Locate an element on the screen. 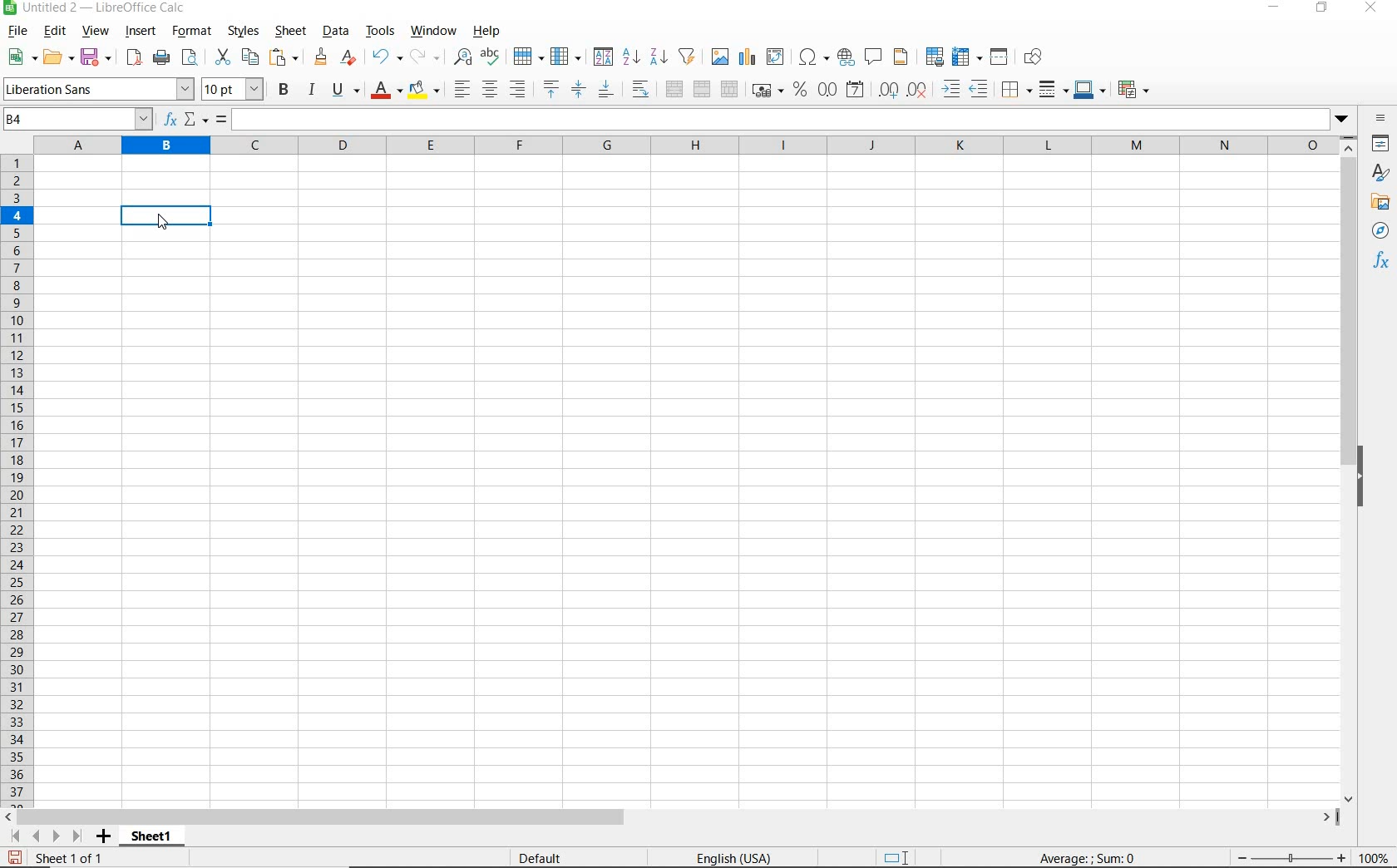 The width and height of the screenshot is (1397, 868). freeze rows and columns is located at coordinates (967, 57).